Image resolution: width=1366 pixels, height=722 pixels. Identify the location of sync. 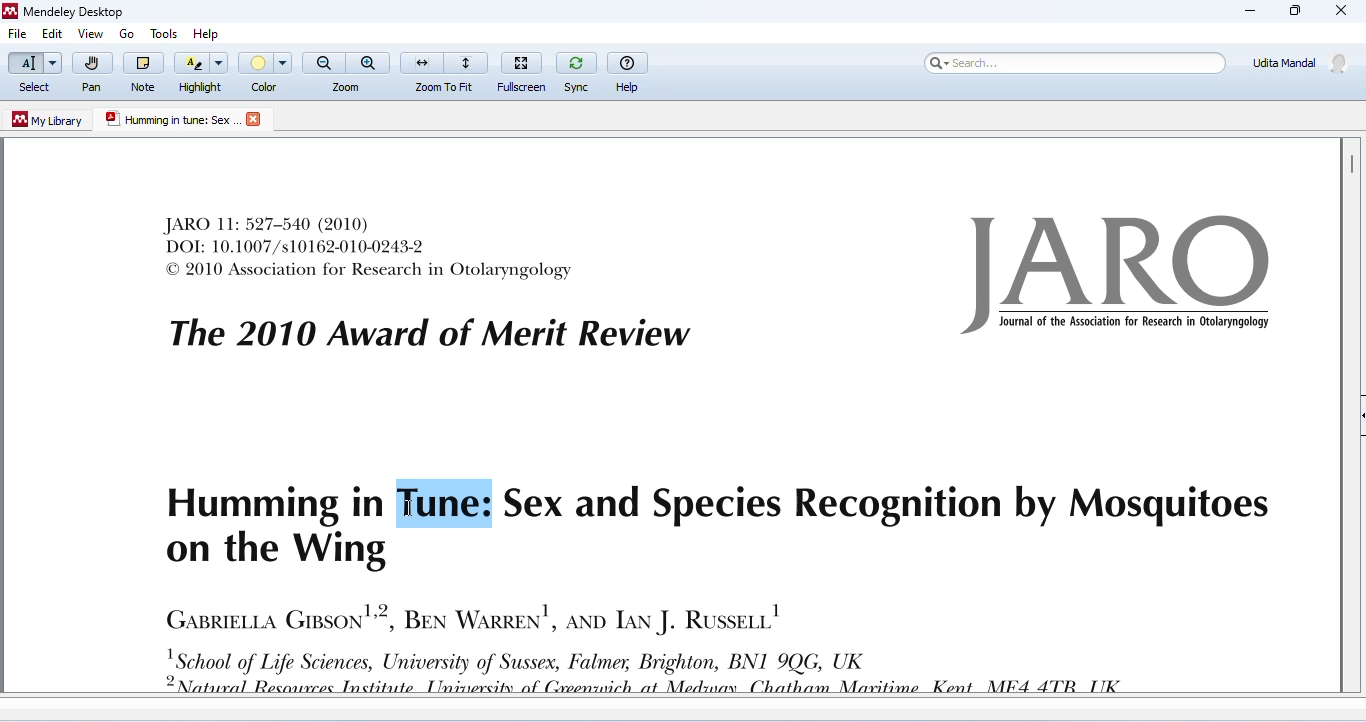
(576, 70).